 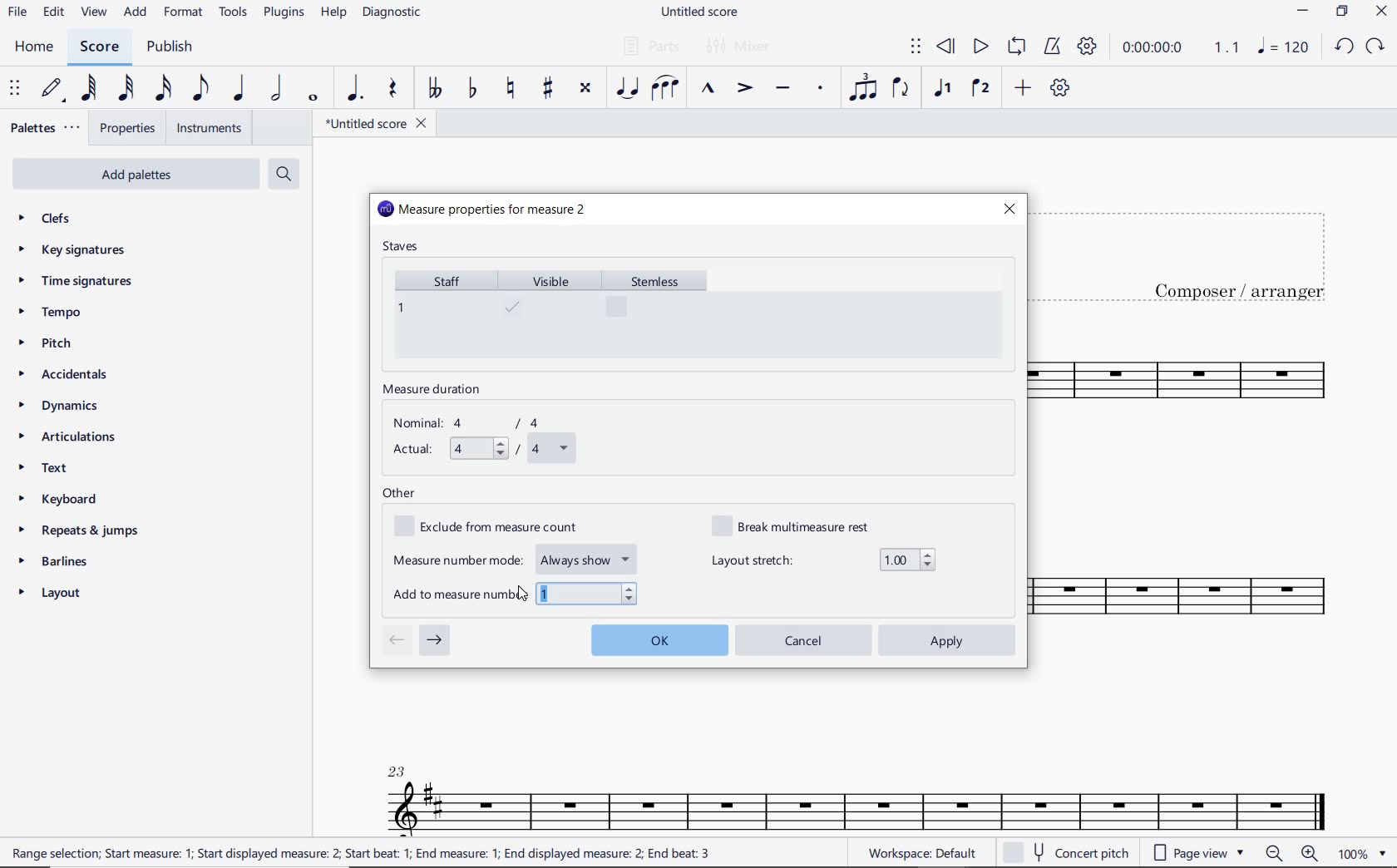 I want to click on INSTRUMENTS, so click(x=205, y=127).